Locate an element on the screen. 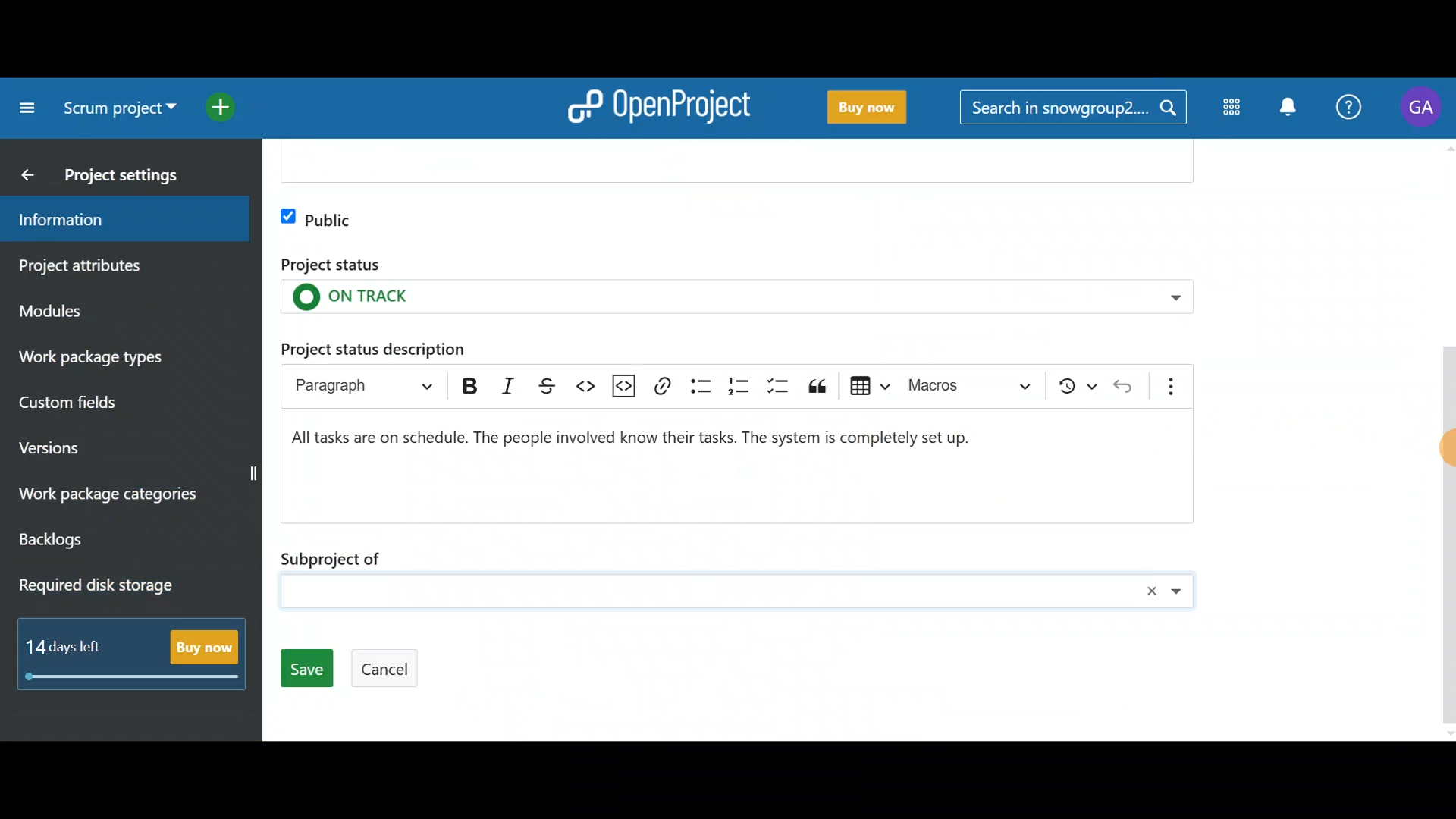  Collapse project menu is located at coordinates (24, 108).